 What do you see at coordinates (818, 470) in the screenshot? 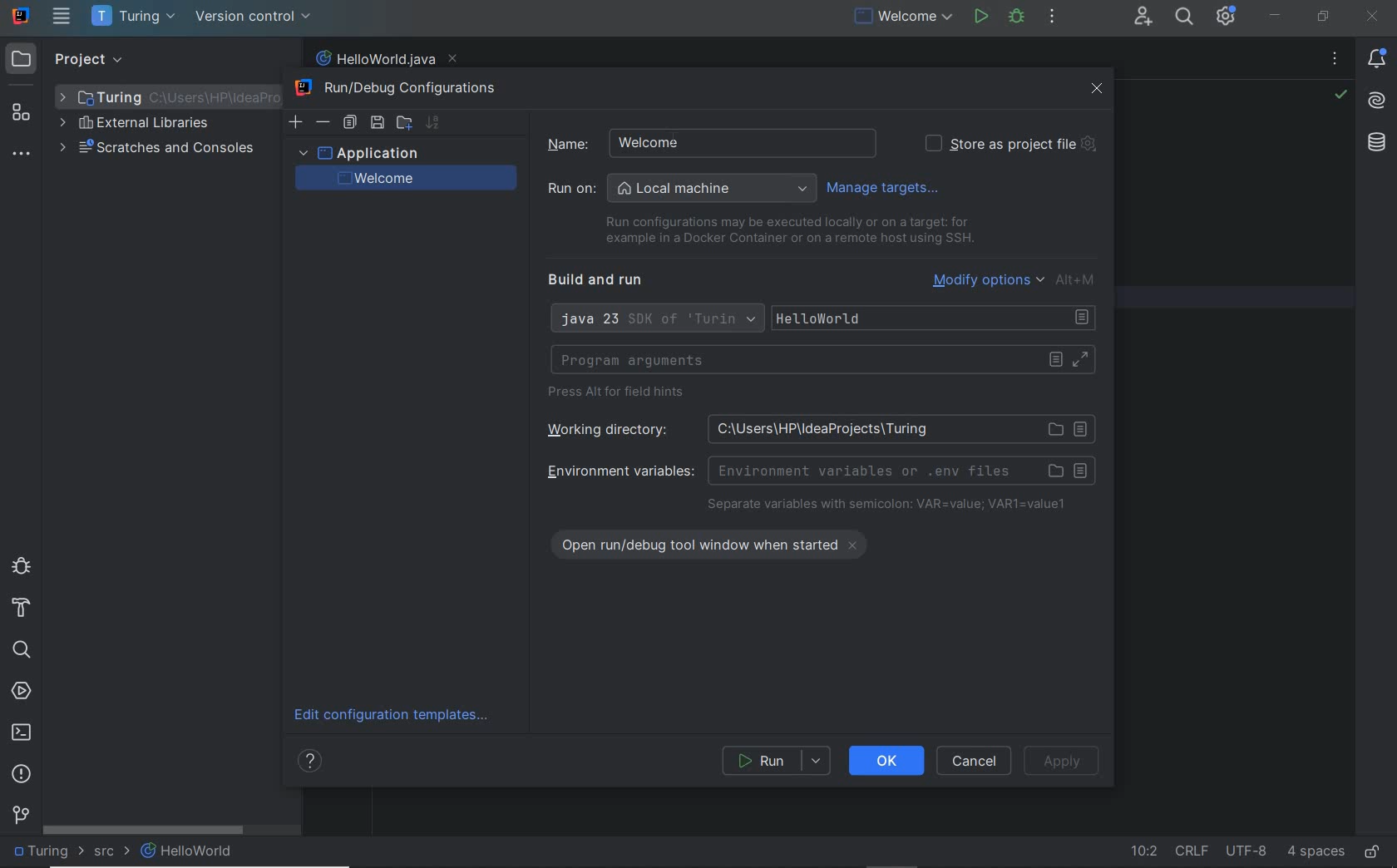
I see `Environment cariables` at bounding box center [818, 470].